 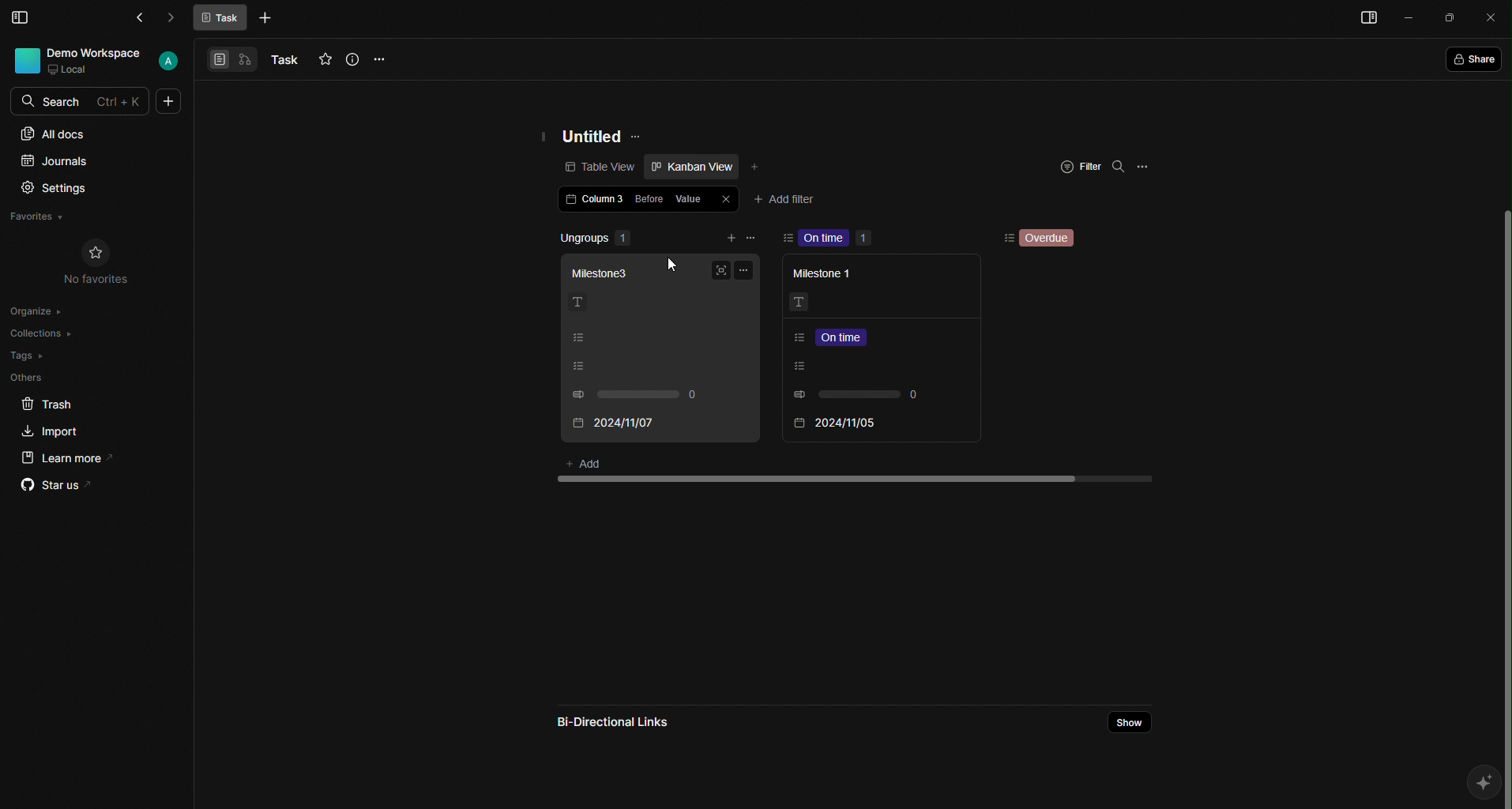 What do you see at coordinates (592, 201) in the screenshot?
I see `Column 3` at bounding box center [592, 201].